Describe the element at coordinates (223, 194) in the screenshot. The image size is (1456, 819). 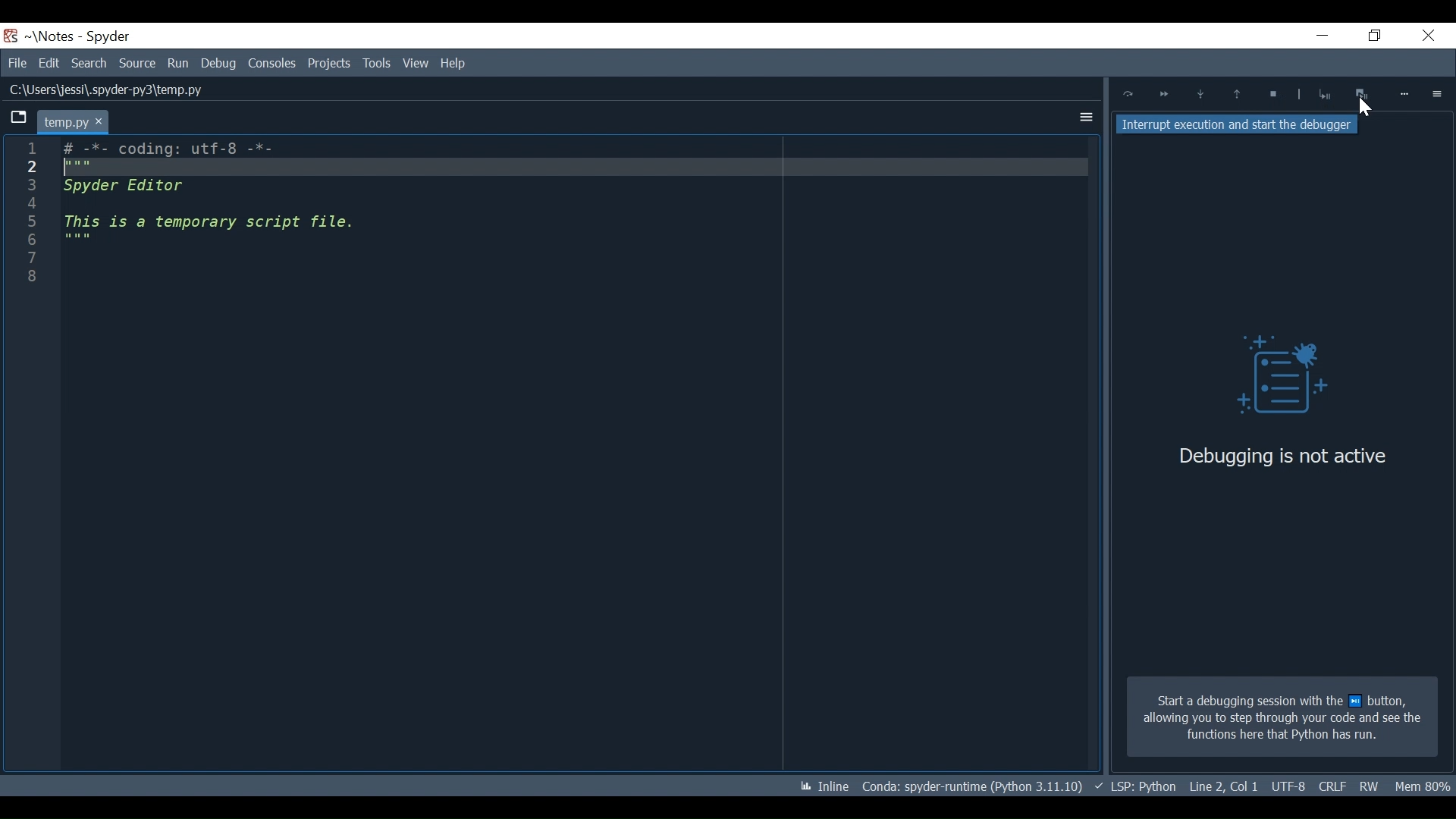
I see `Editor` at that location.